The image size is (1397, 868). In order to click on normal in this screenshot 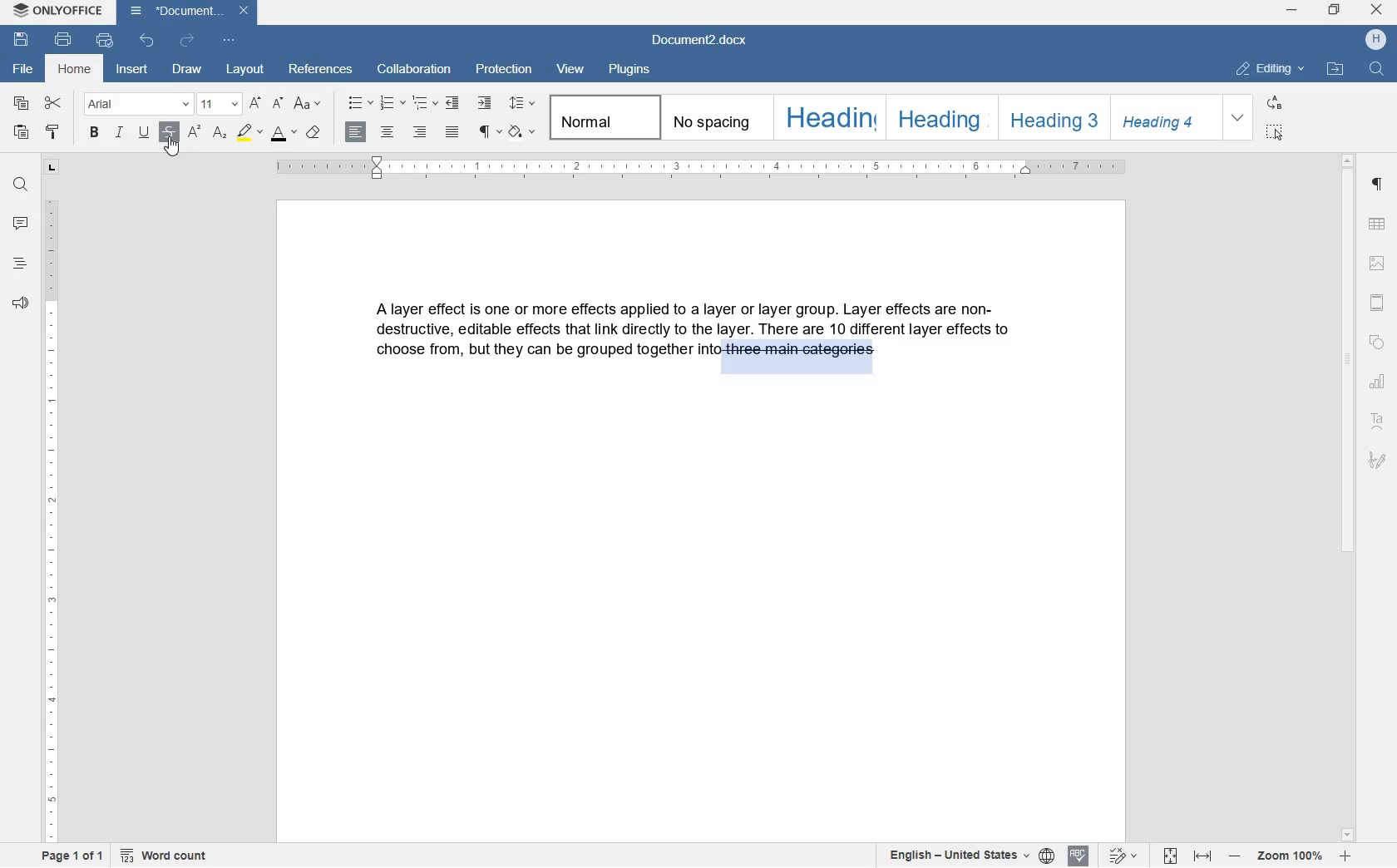, I will do `click(601, 117)`.